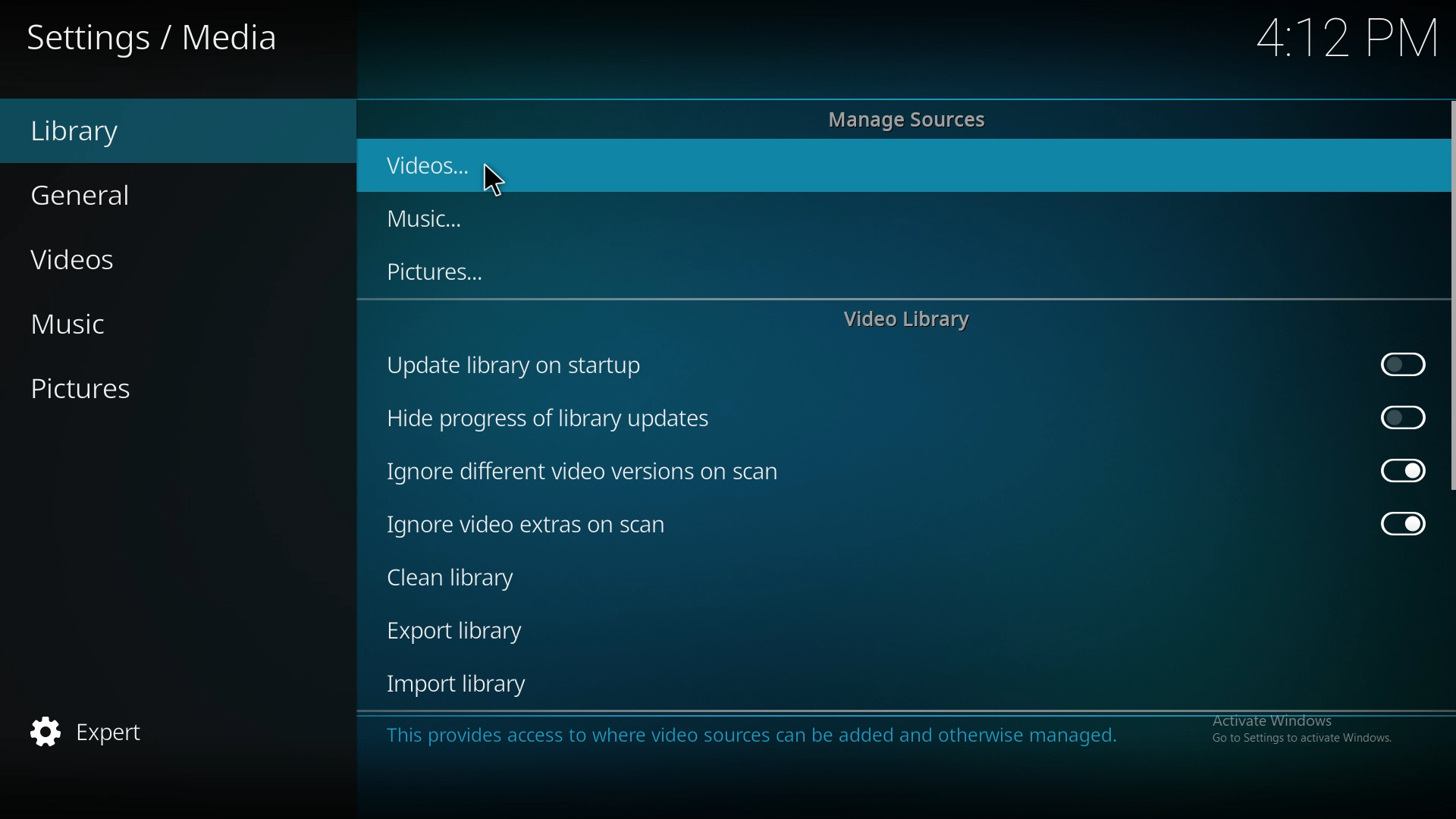 The width and height of the screenshot is (1456, 819). What do you see at coordinates (165, 36) in the screenshot?
I see `settings/media` at bounding box center [165, 36].